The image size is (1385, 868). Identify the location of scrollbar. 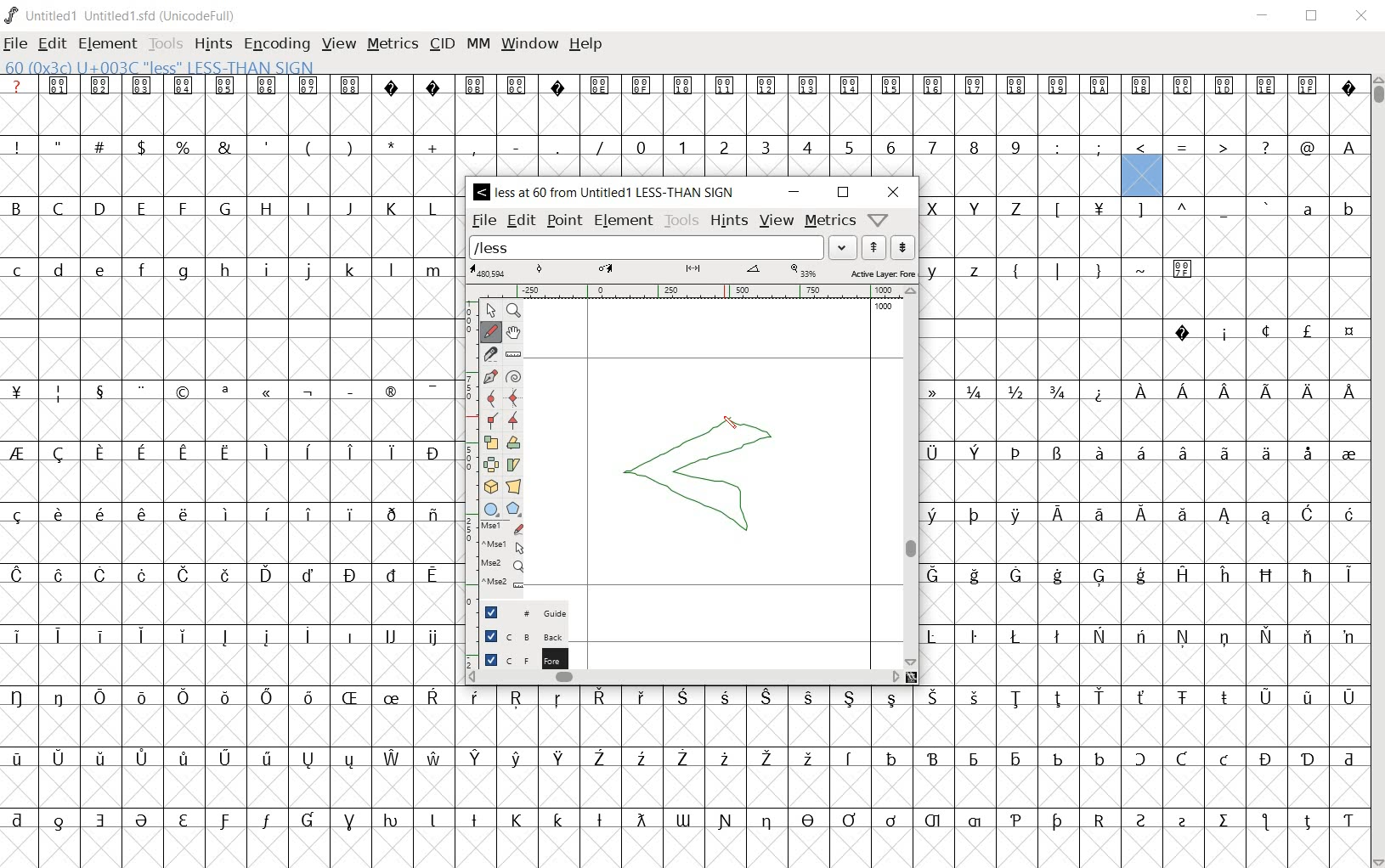
(911, 476).